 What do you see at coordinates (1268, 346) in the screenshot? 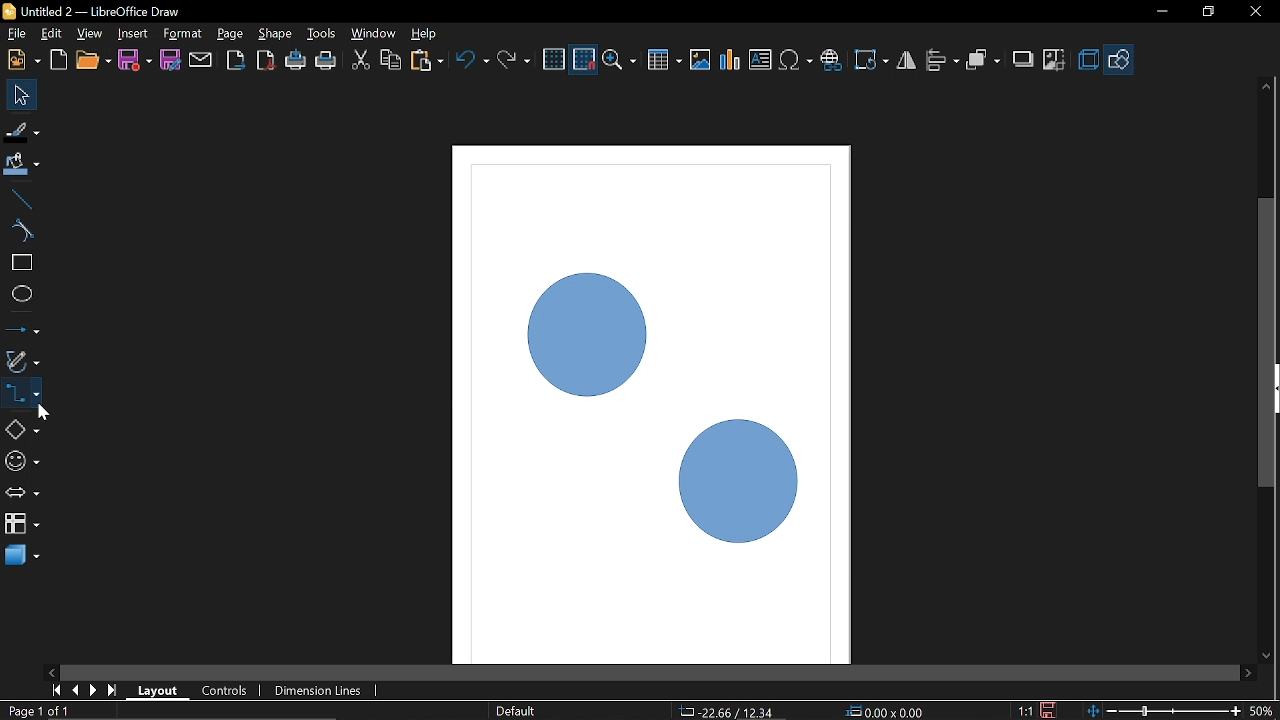
I see `Vertcal scrollbar` at bounding box center [1268, 346].